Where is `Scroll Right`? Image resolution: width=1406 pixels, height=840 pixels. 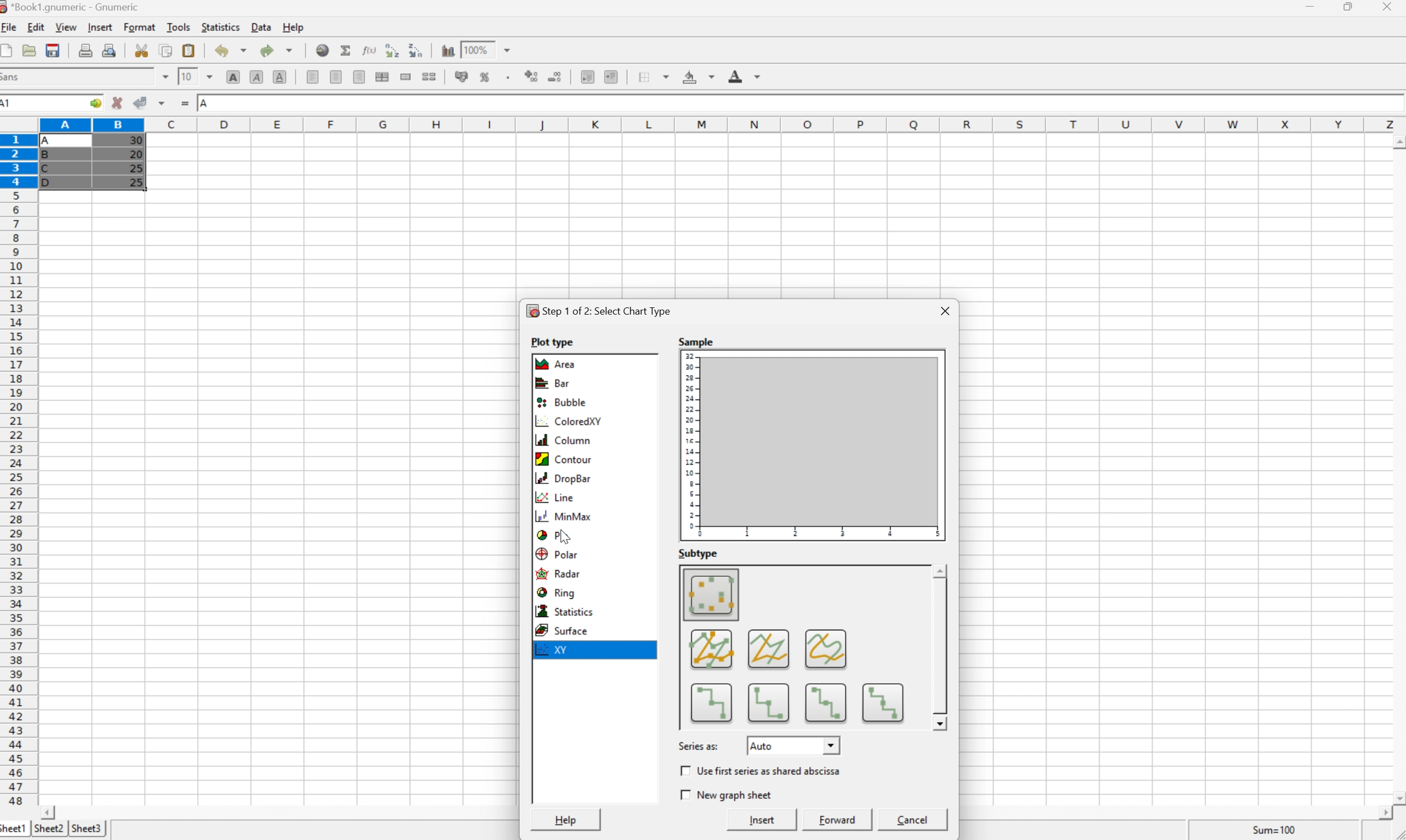 Scroll Right is located at coordinates (1381, 813).